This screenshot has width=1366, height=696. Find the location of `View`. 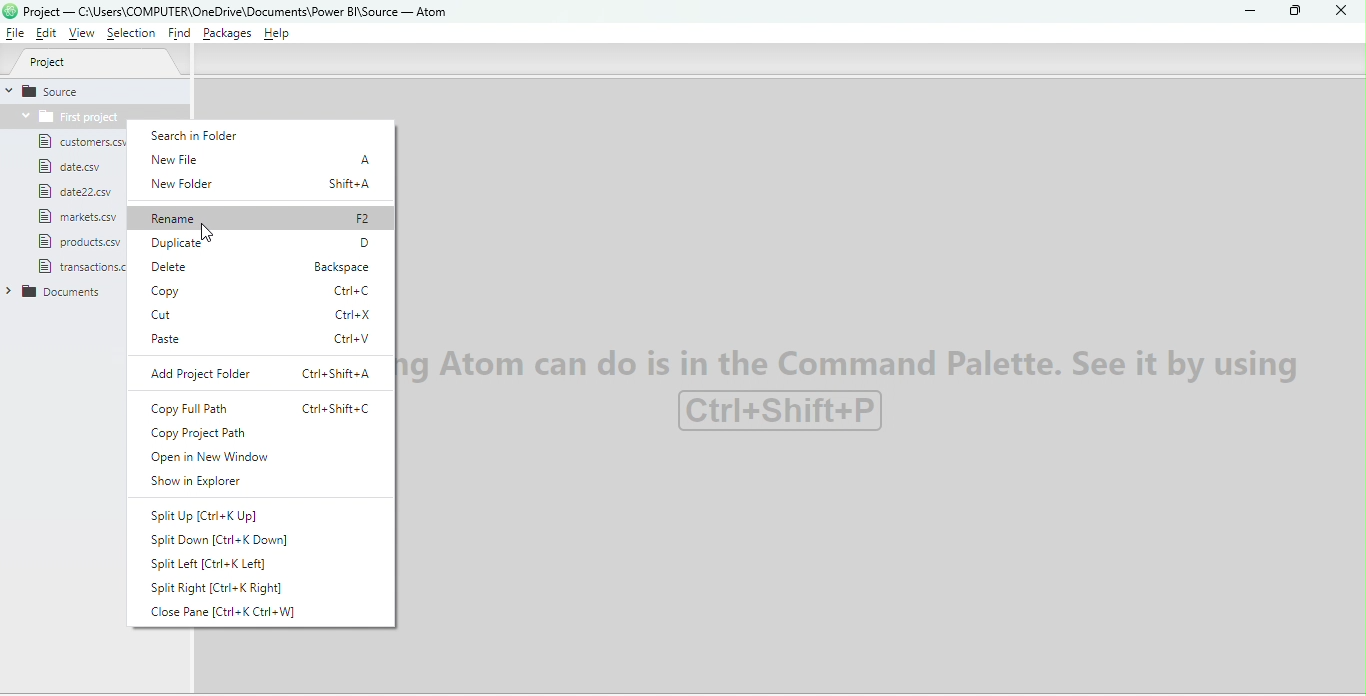

View is located at coordinates (83, 34).